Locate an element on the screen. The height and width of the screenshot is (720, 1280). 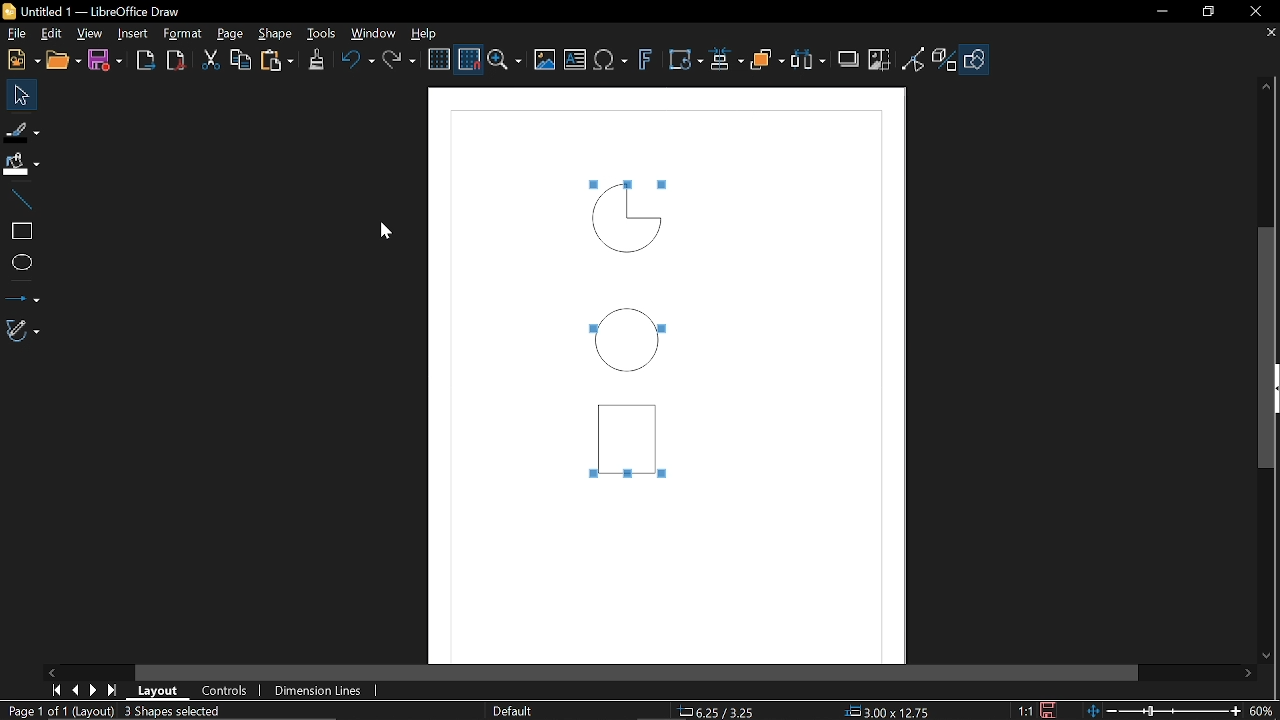
Align is located at coordinates (726, 63).